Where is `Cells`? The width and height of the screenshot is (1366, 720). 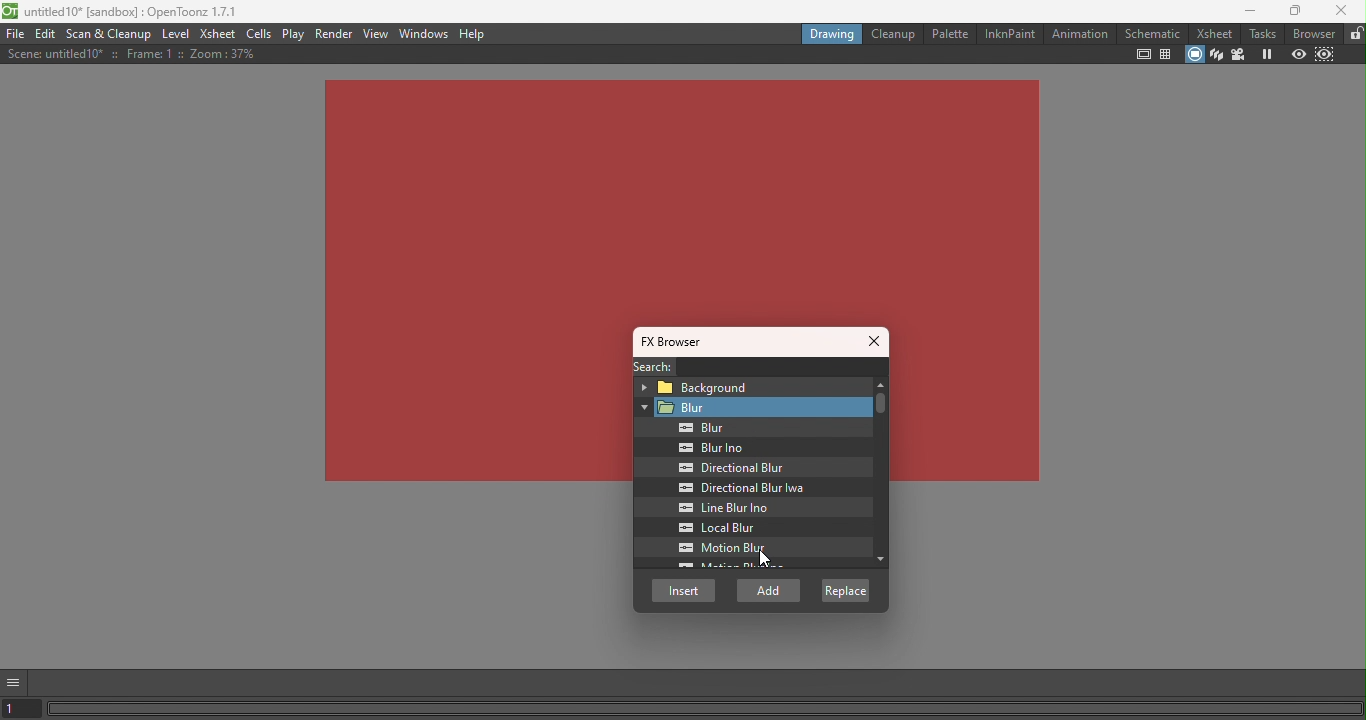
Cells is located at coordinates (262, 34).